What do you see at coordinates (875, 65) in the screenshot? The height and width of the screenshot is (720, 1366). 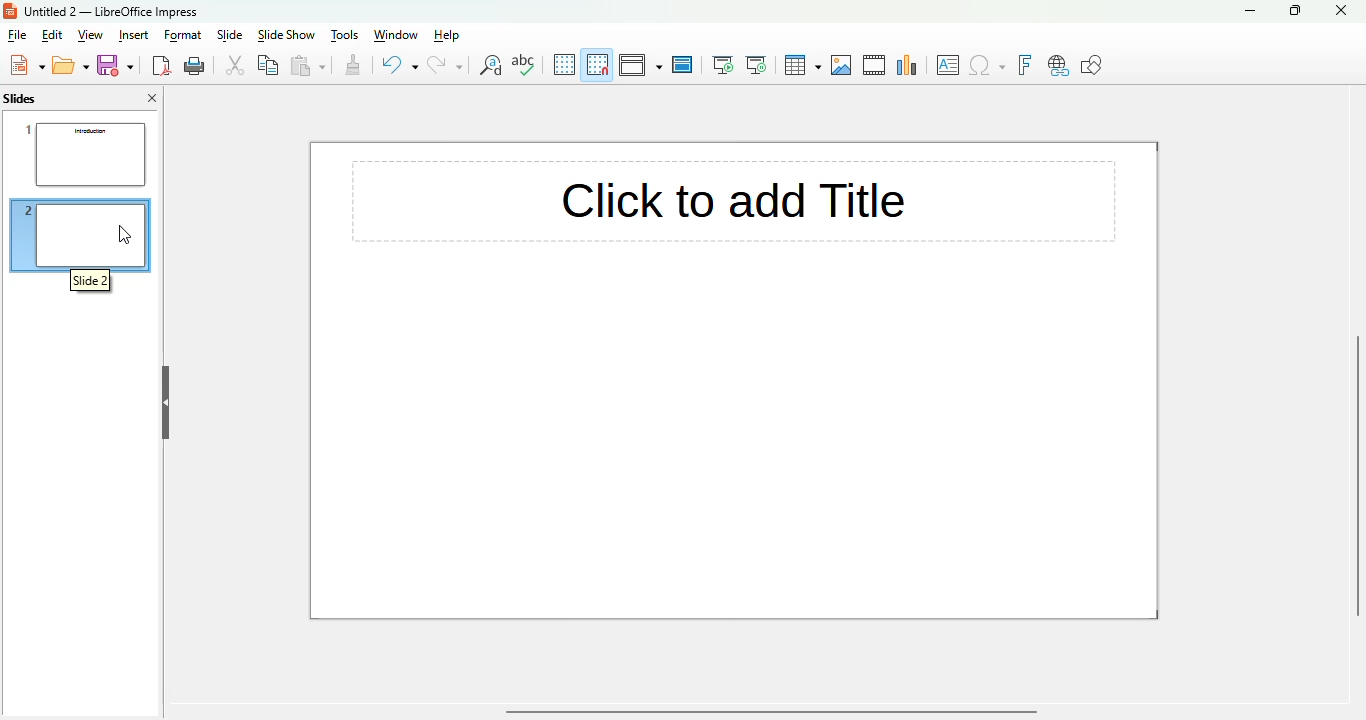 I see `insert audio or video` at bounding box center [875, 65].